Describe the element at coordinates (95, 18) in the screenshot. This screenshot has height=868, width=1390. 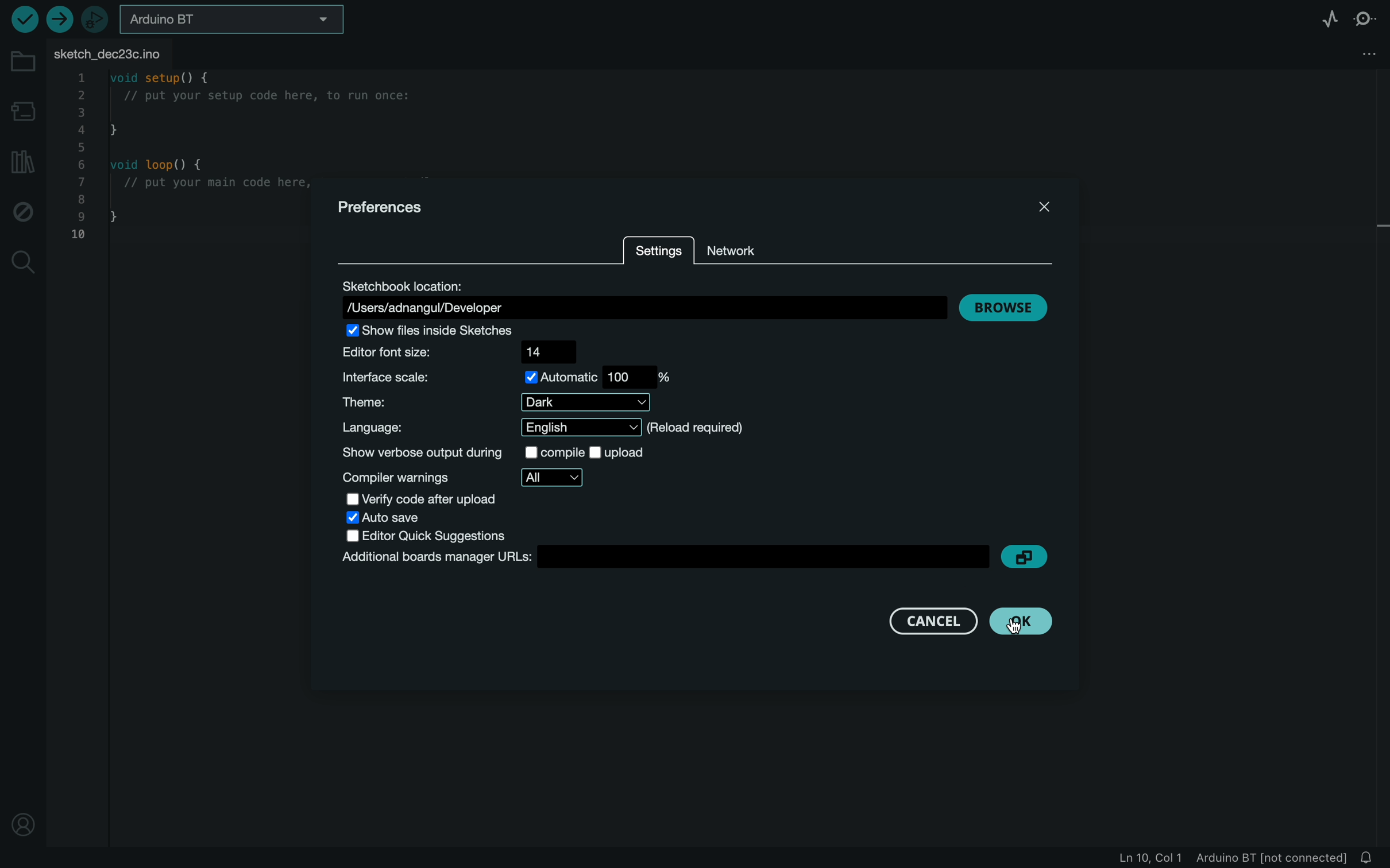
I see `debugger` at that location.